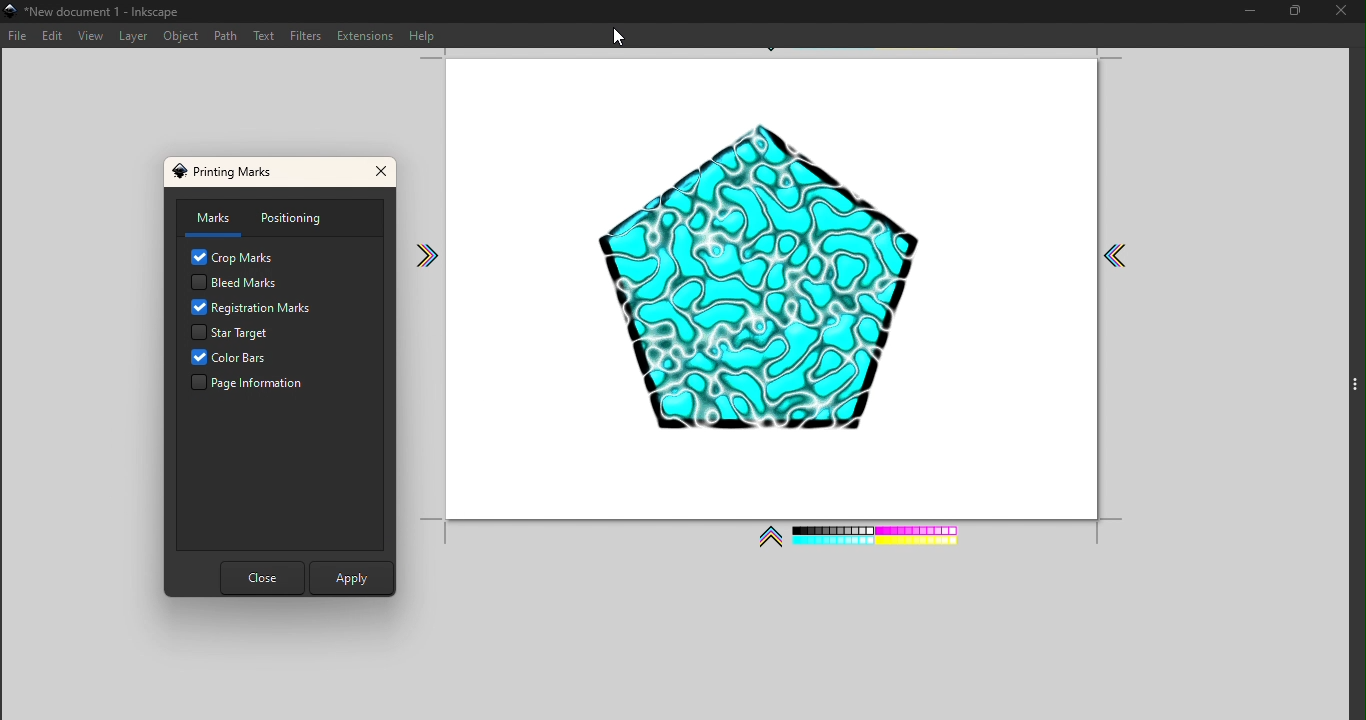 The width and height of the screenshot is (1366, 720). What do you see at coordinates (1339, 13) in the screenshot?
I see `Close` at bounding box center [1339, 13].